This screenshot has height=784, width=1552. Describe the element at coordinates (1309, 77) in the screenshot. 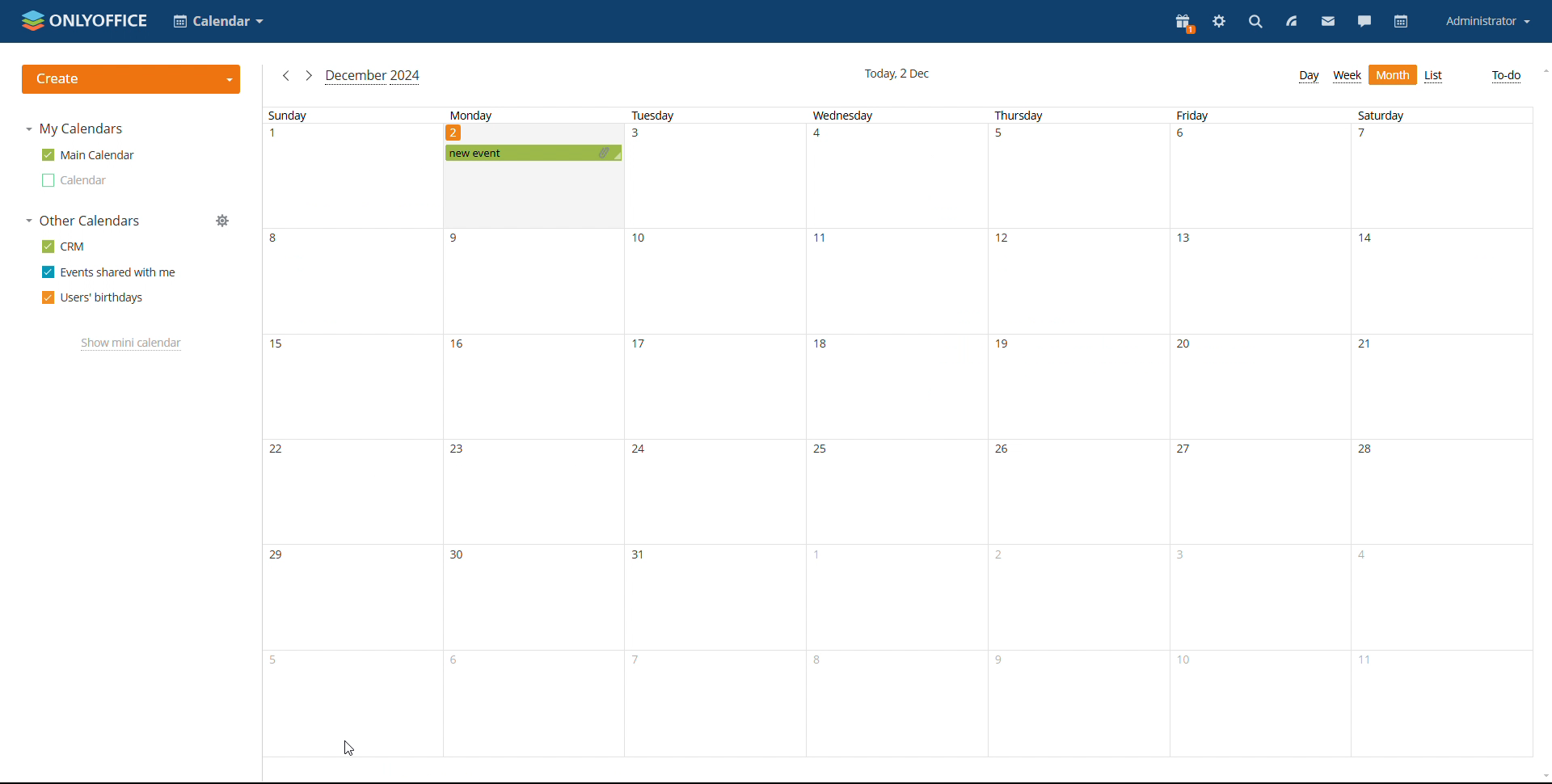

I see `day view` at that location.